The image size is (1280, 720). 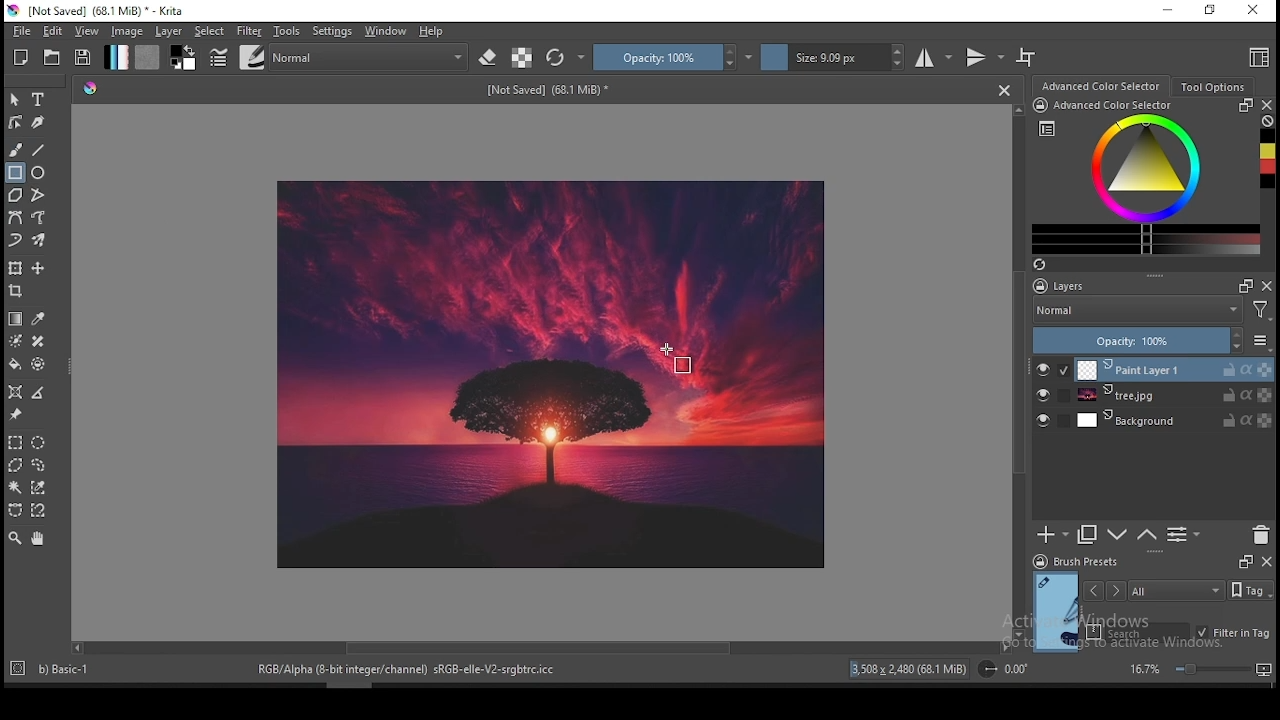 I want to click on tags, so click(x=1177, y=590).